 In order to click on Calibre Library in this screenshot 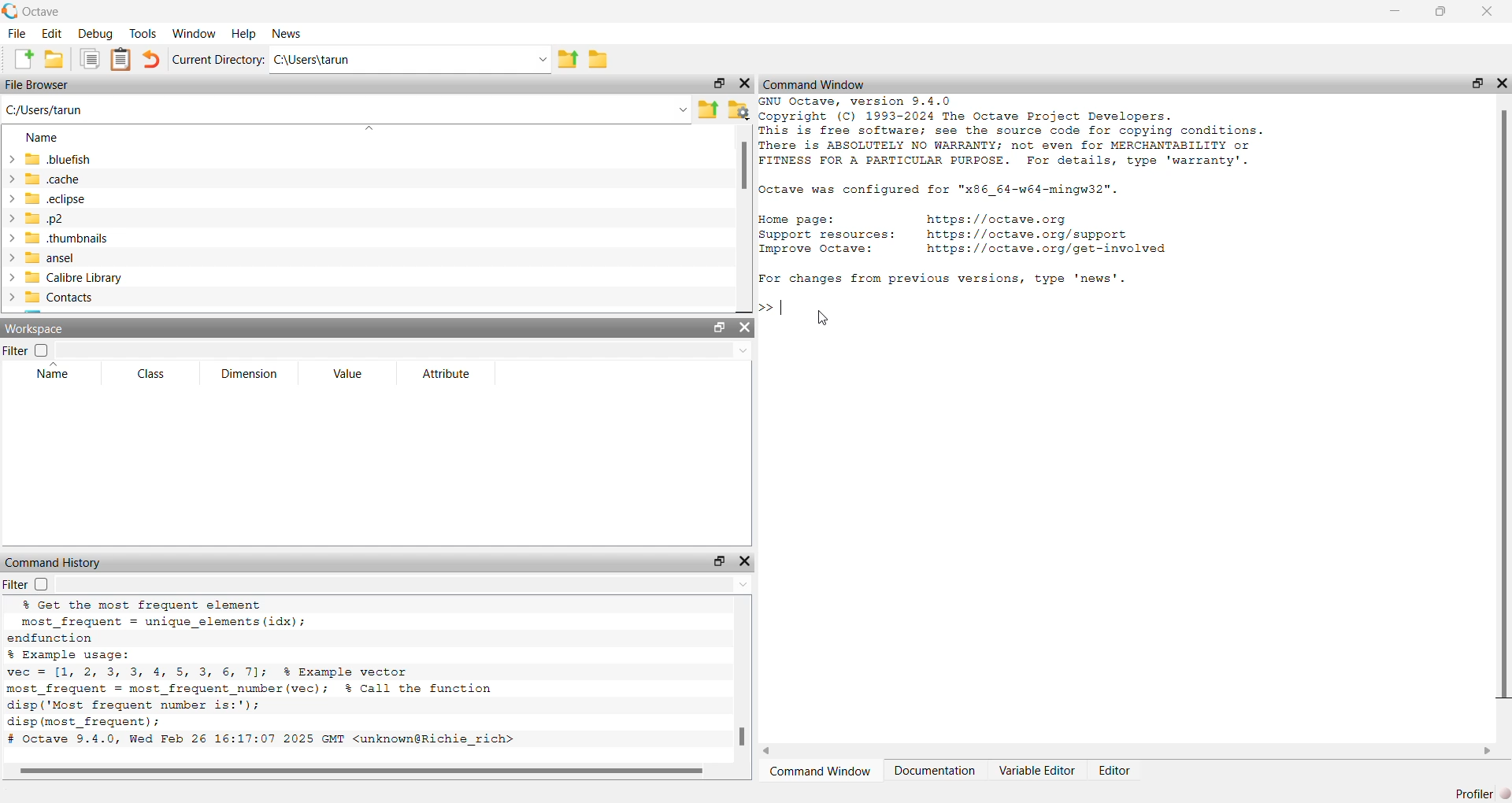, I will do `click(75, 277)`.